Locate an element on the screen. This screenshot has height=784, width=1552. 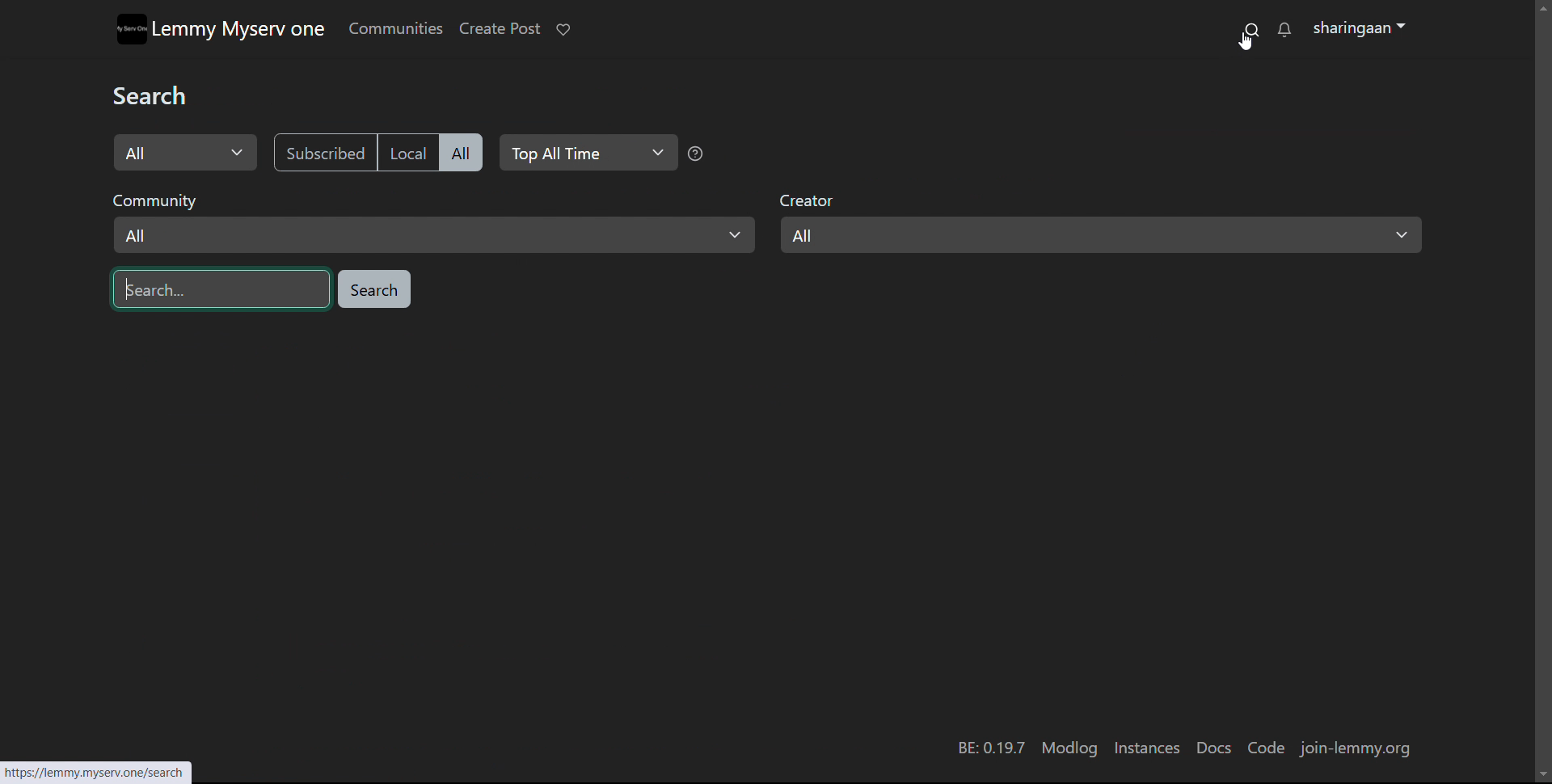
Lemmy myserv one logo and name is located at coordinates (221, 28).